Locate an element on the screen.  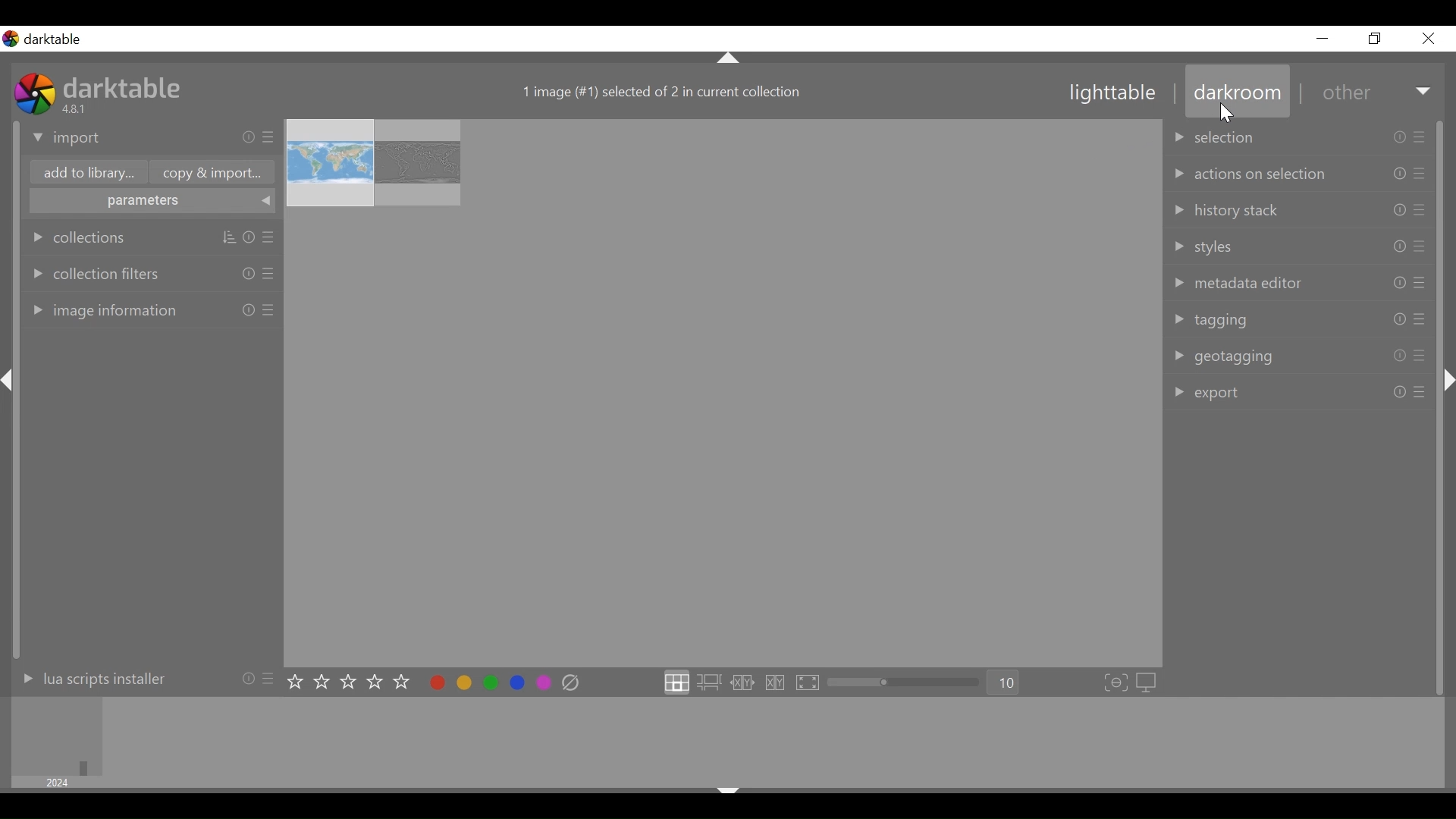
tagging is located at coordinates (1301, 318).